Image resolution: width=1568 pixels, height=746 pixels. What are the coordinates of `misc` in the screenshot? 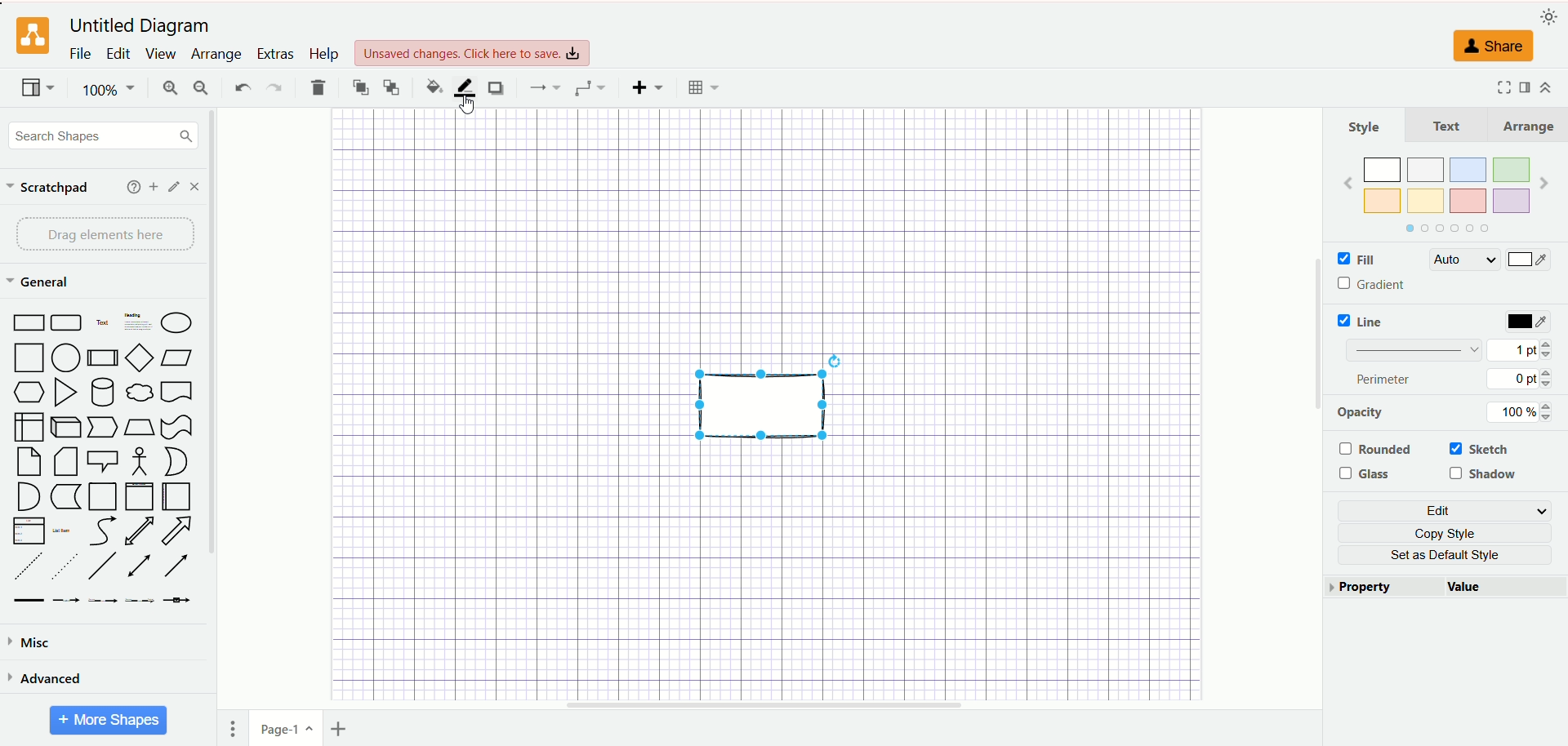 It's located at (33, 643).